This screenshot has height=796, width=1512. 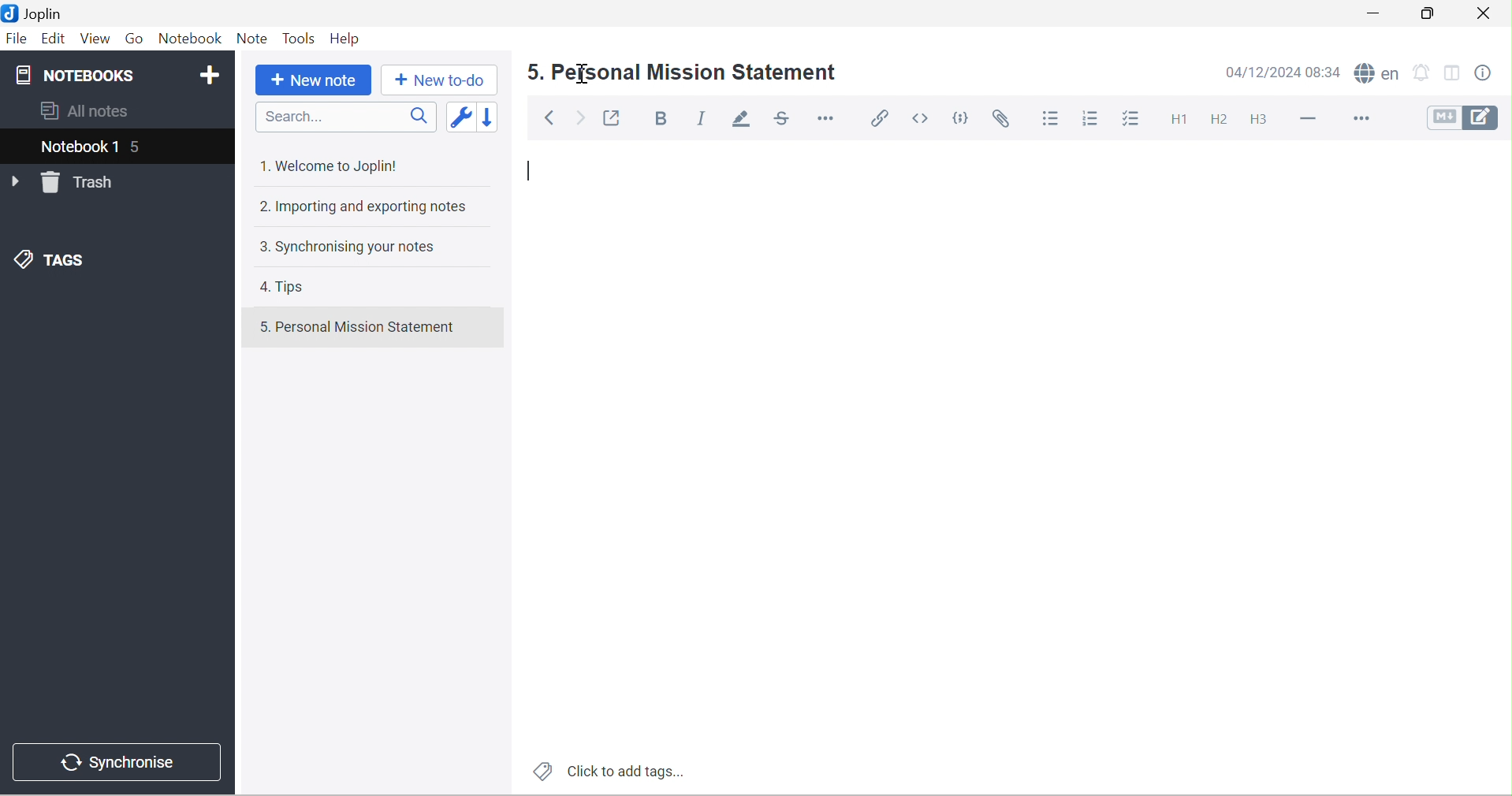 What do you see at coordinates (440, 80) in the screenshot?
I see `New to-do` at bounding box center [440, 80].